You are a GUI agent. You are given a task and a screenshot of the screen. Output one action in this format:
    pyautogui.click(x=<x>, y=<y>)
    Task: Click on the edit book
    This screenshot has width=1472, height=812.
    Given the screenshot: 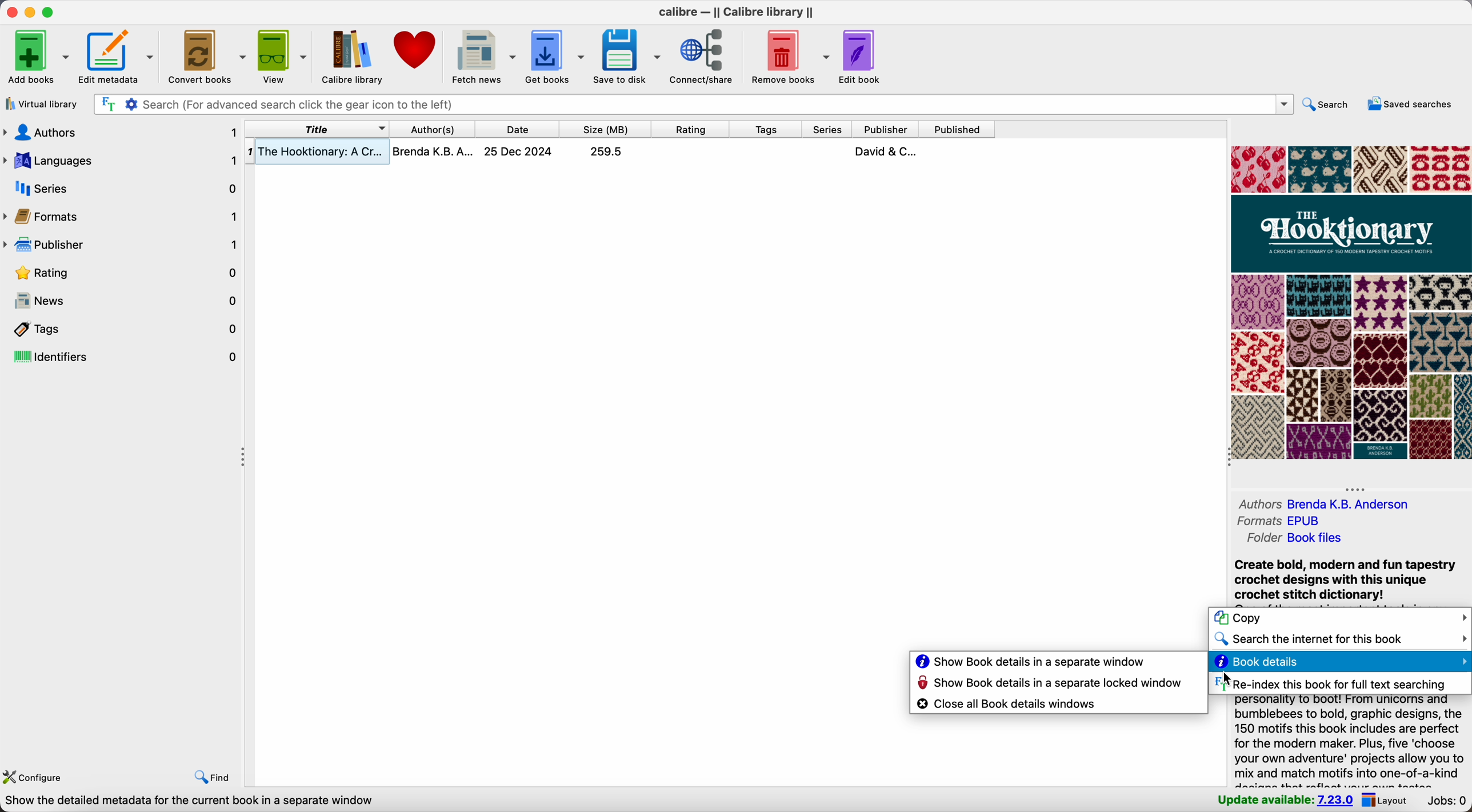 What is the action you would take?
    pyautogui.click(x=858, y=57)
    